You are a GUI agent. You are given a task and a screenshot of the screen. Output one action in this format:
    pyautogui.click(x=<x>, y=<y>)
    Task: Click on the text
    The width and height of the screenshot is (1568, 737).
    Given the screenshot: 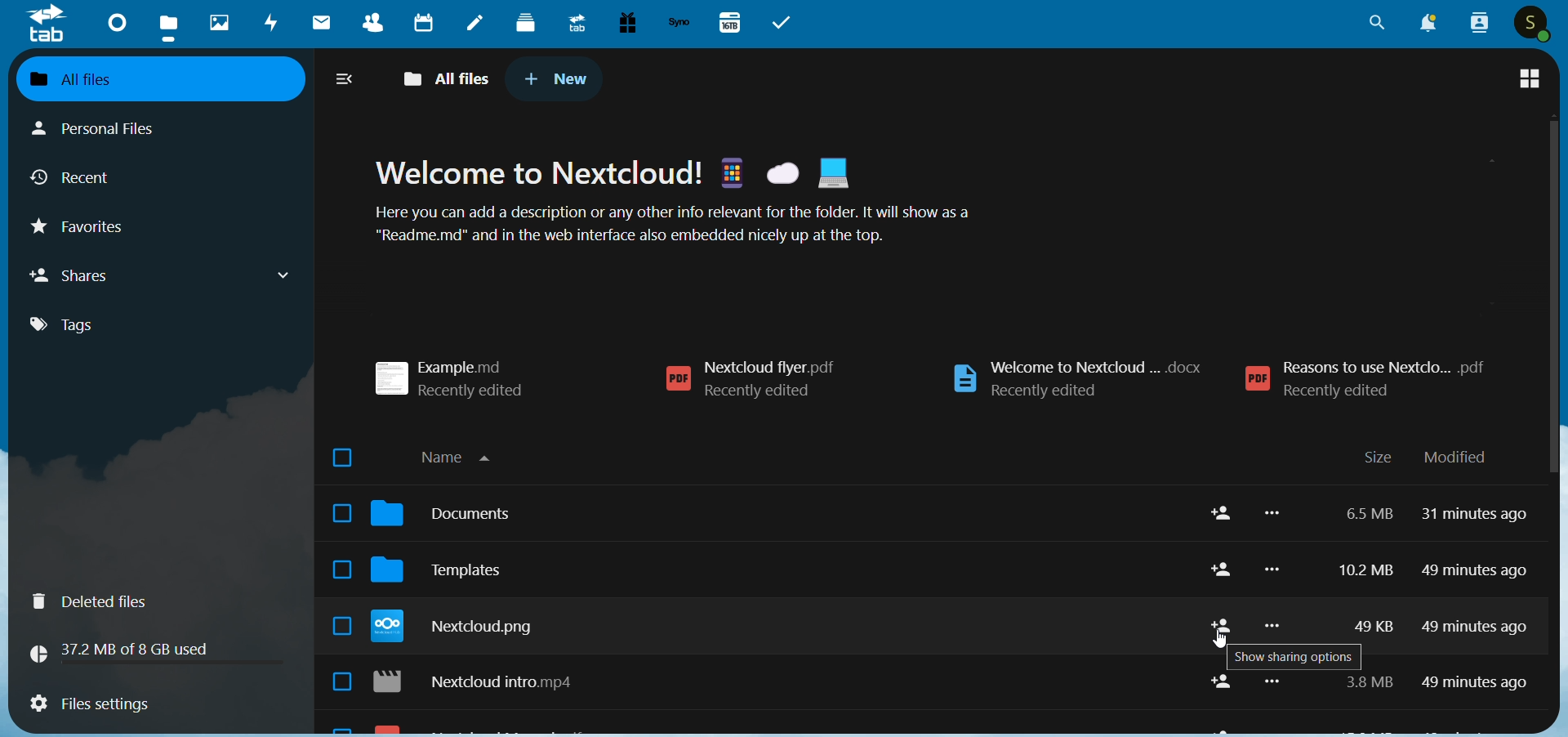 What is the action you would take?
    pyautogui.click(x=690, y=203)
    